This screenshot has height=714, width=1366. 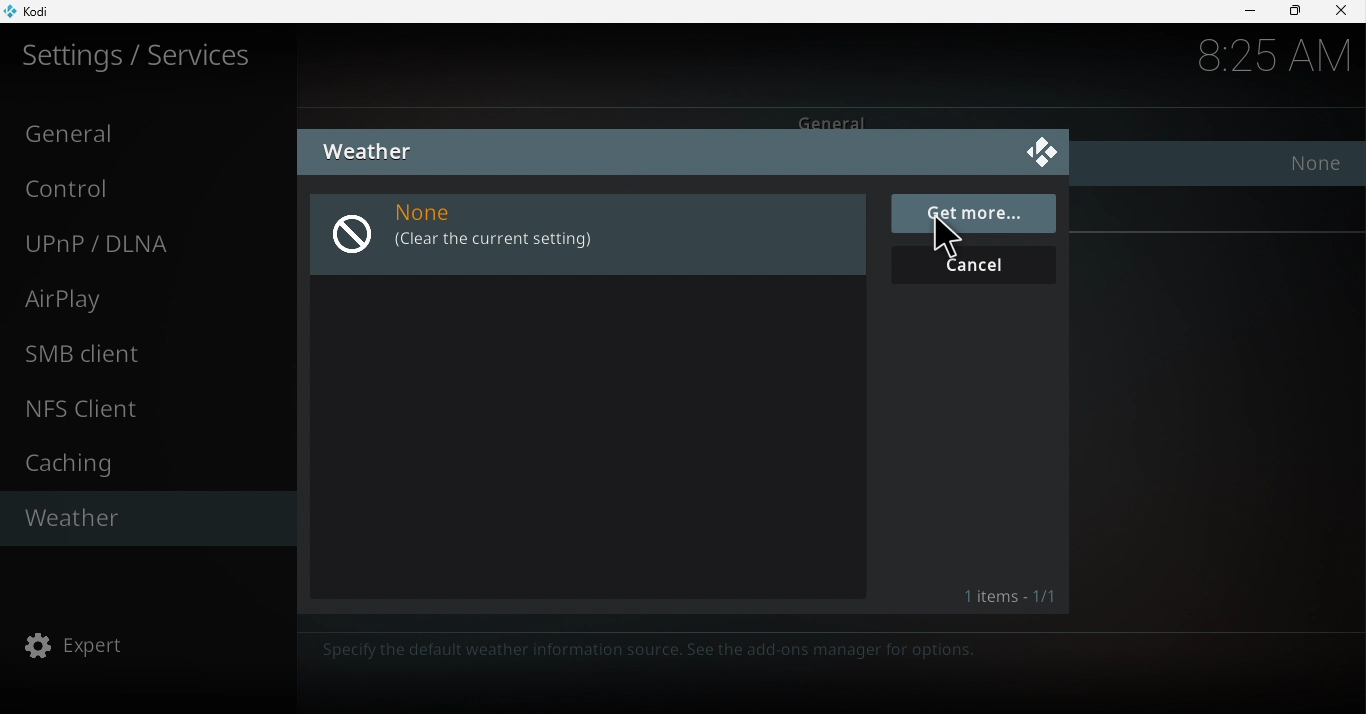 What do you see at coordinates (137, 299) in the screenshot?
I see `Airplay` at bounding box center [137, 299].